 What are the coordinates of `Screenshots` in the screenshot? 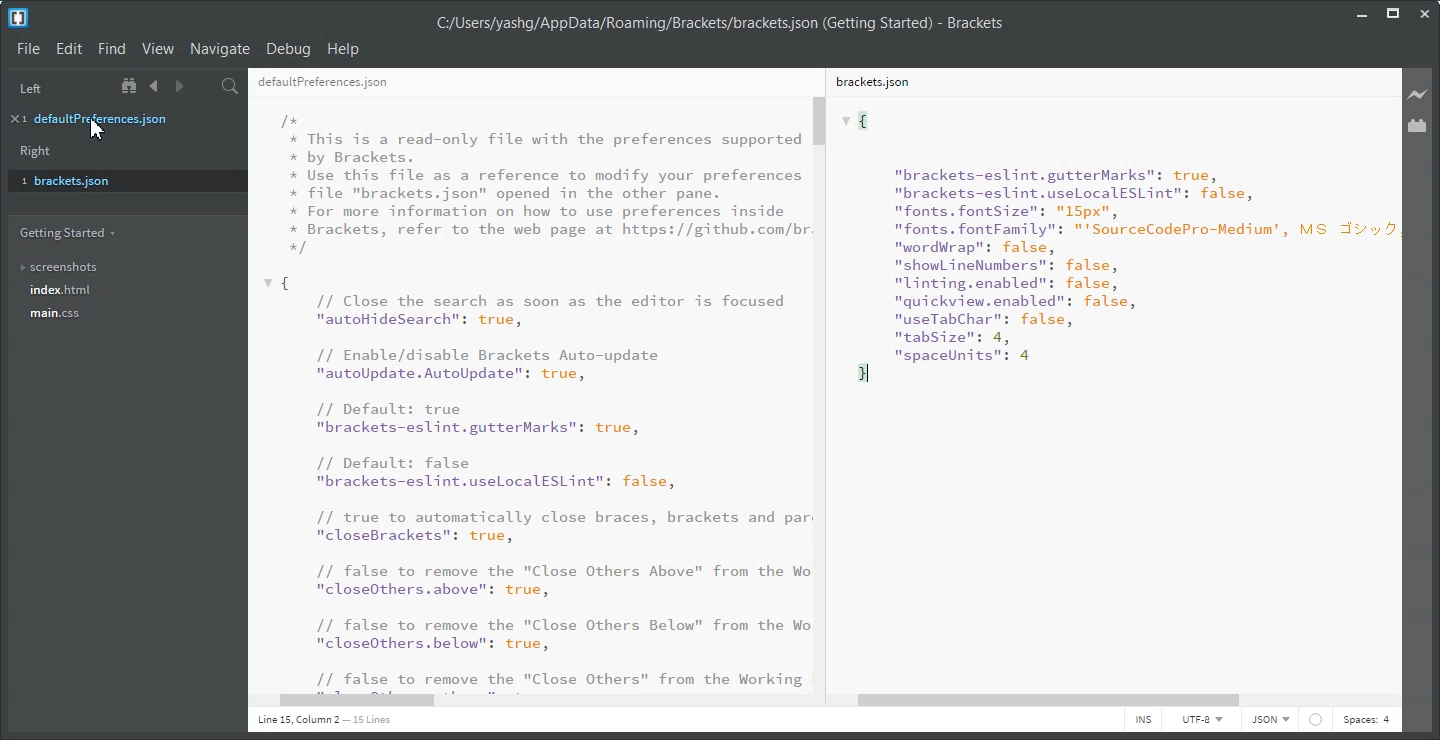 It's located at (121, 267).